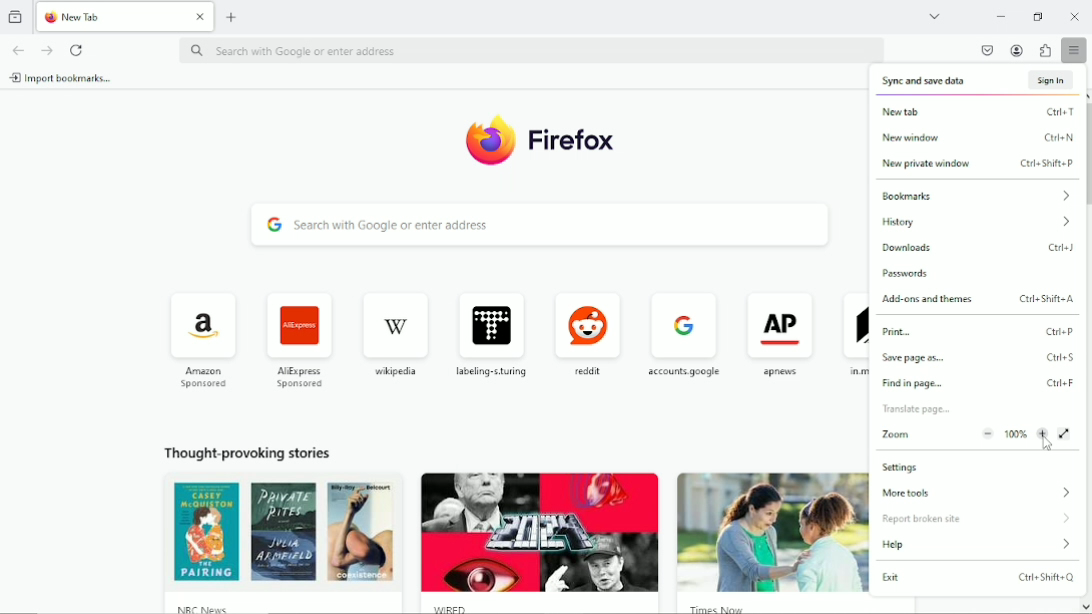 The height and width of the screenshot is (614, 1092). I want to click on More tools, so click(981, 494).